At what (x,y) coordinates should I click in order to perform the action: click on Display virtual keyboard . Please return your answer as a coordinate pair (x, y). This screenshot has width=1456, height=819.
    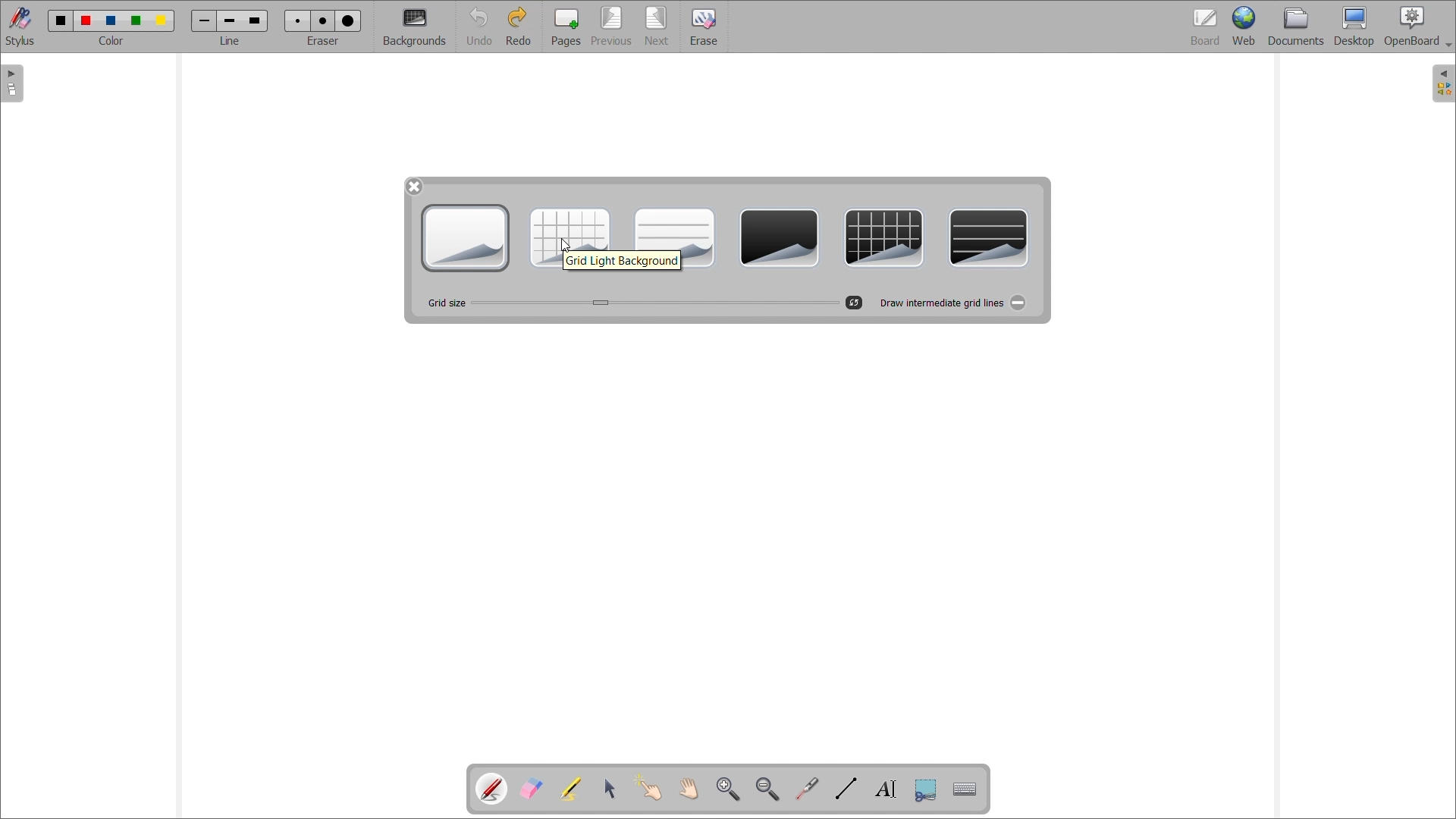
    Looking at the image, I should click on (965, 789).